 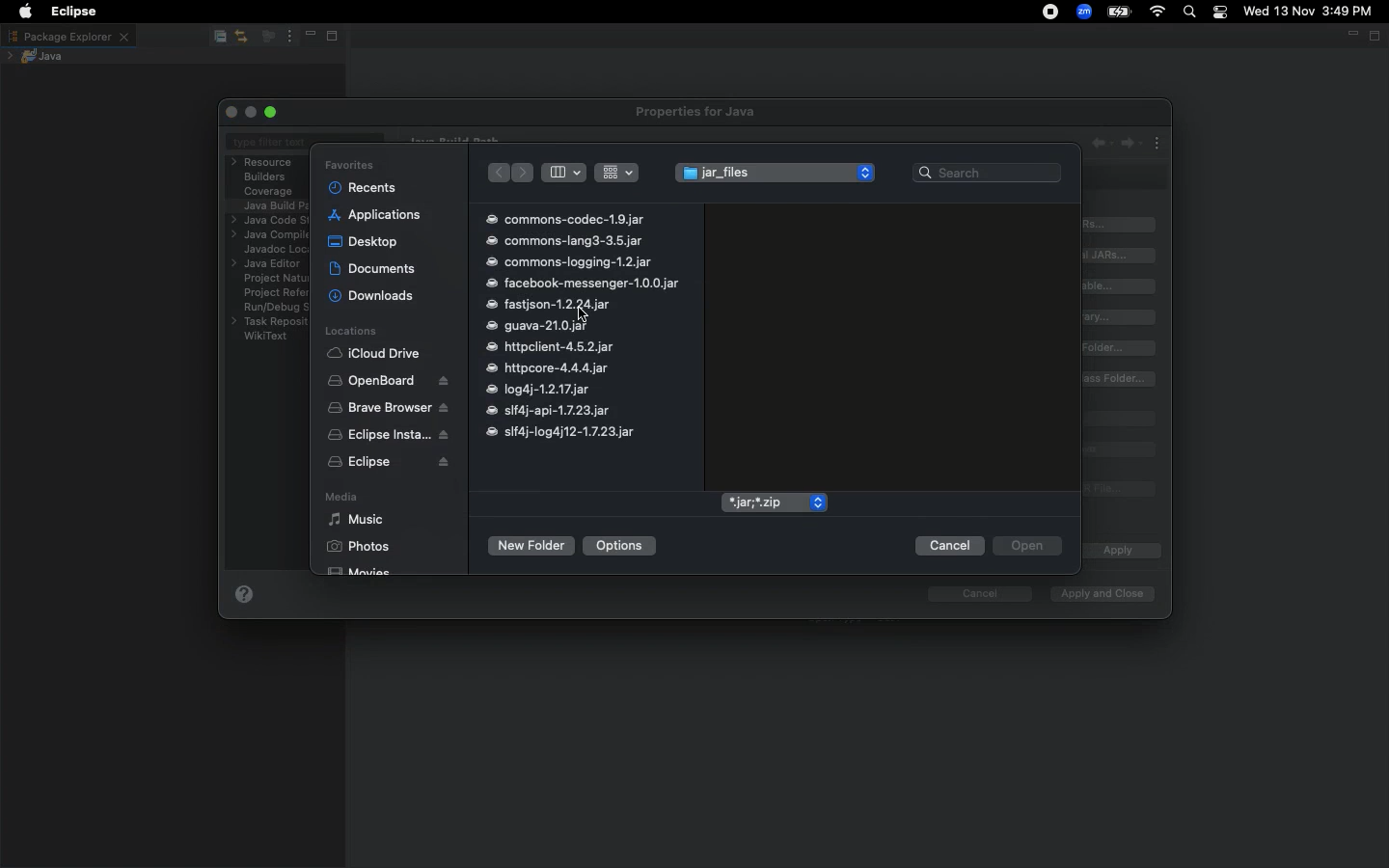 I want to click on Migrate JAR file, so click(x=1117, y=491).